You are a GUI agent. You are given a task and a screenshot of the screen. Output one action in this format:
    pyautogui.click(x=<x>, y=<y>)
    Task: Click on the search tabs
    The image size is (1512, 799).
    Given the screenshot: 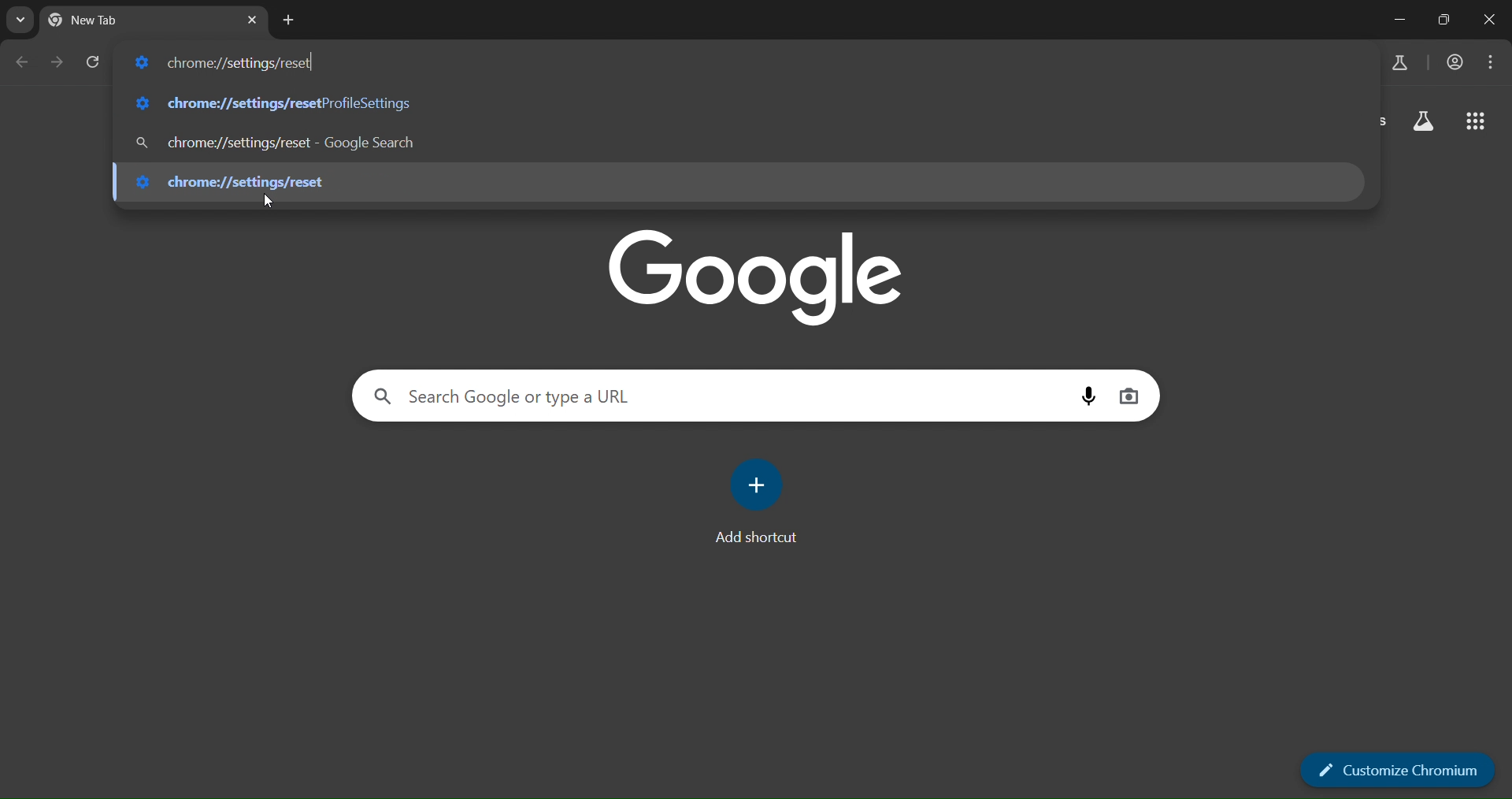 What is the action you would take?
    pyautogui.click(x=22, y=21)
    